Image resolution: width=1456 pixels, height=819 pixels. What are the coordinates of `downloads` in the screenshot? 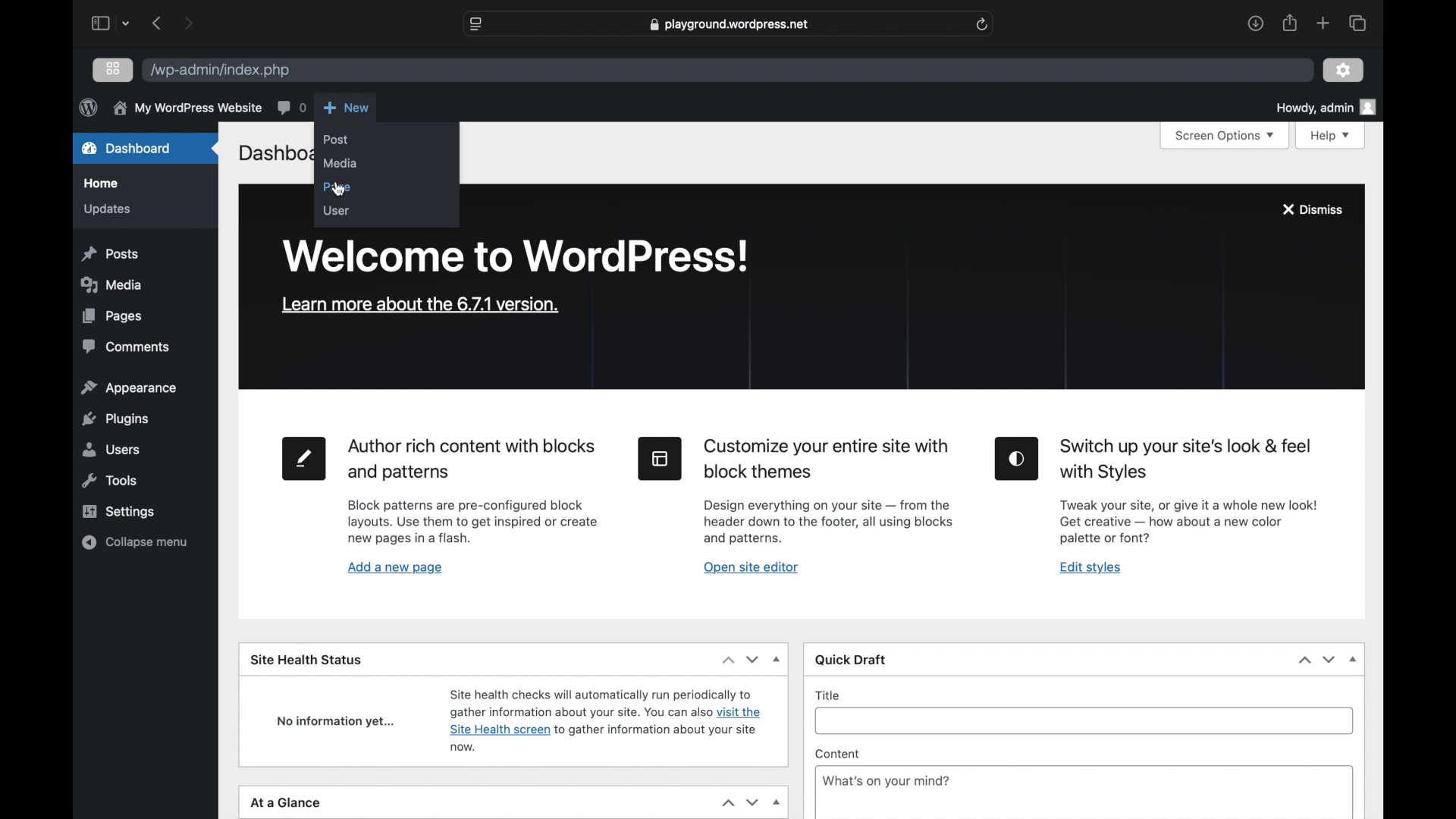 It's located at (1256, 23).